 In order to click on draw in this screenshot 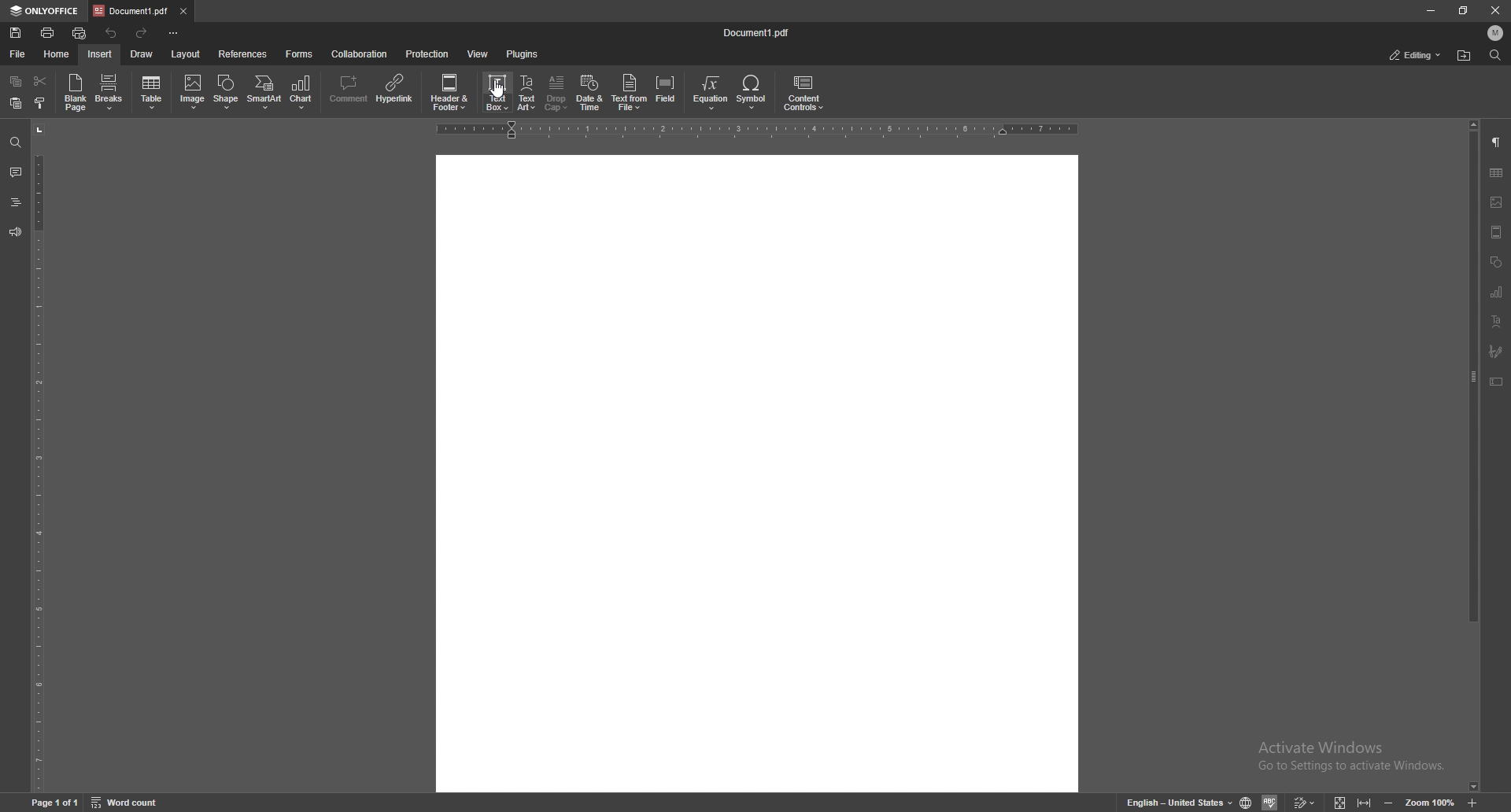, I will do `click(142, 54)`.